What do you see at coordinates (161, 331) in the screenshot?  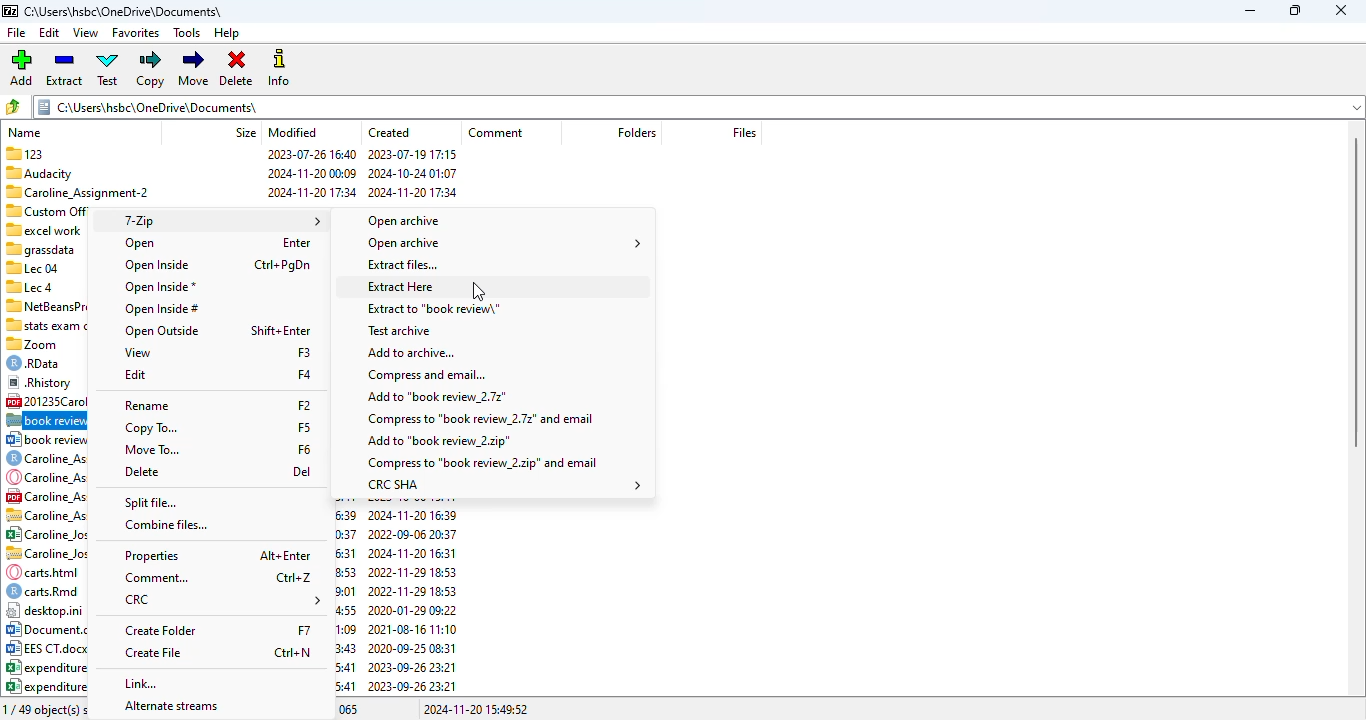 I see `open outside` at bounding box center [161, 331].